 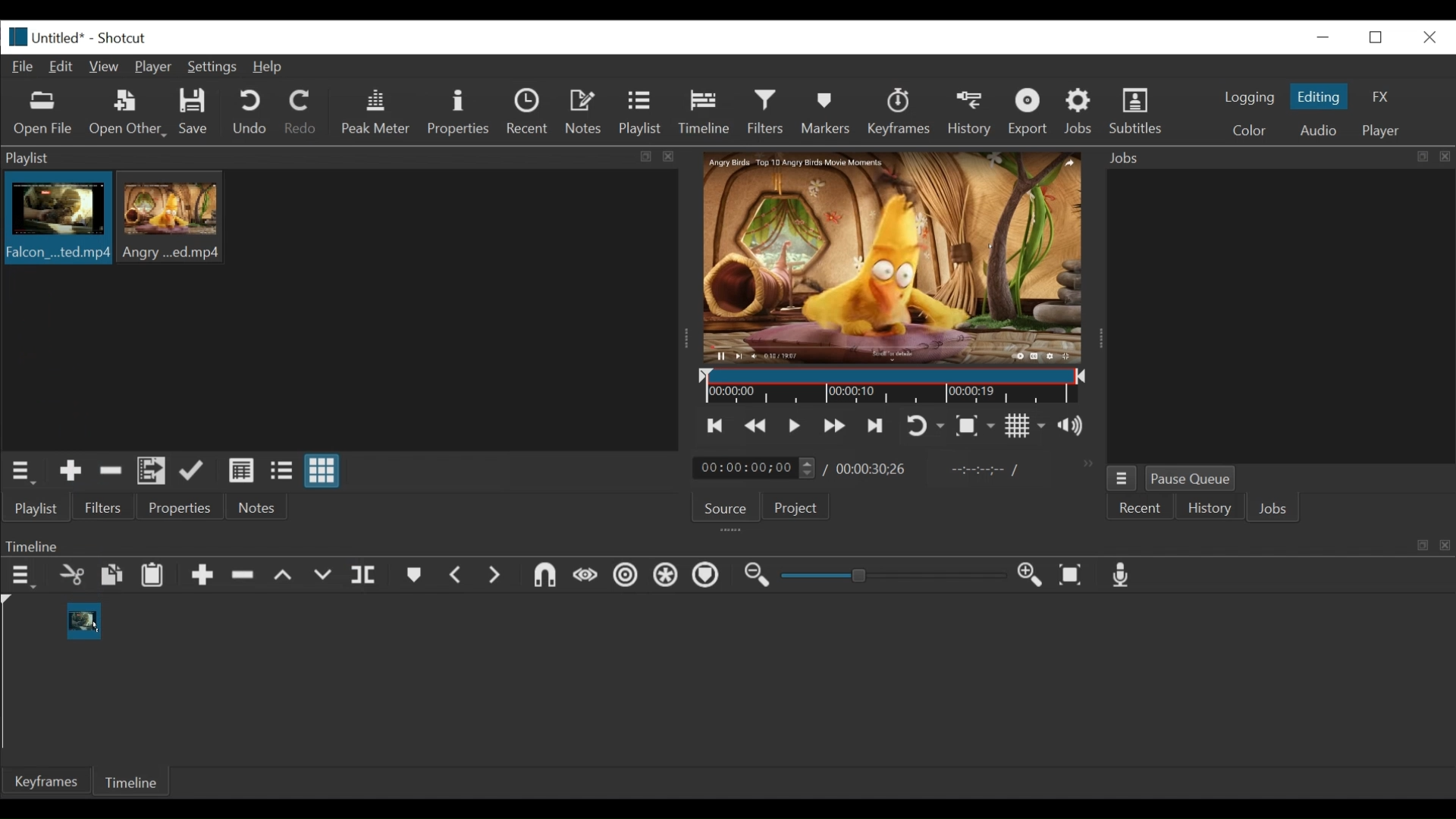 What do you see at coordinates (1122, 579) in the screenshot?
I see `Record audio` at bounding box center [1122, 579].